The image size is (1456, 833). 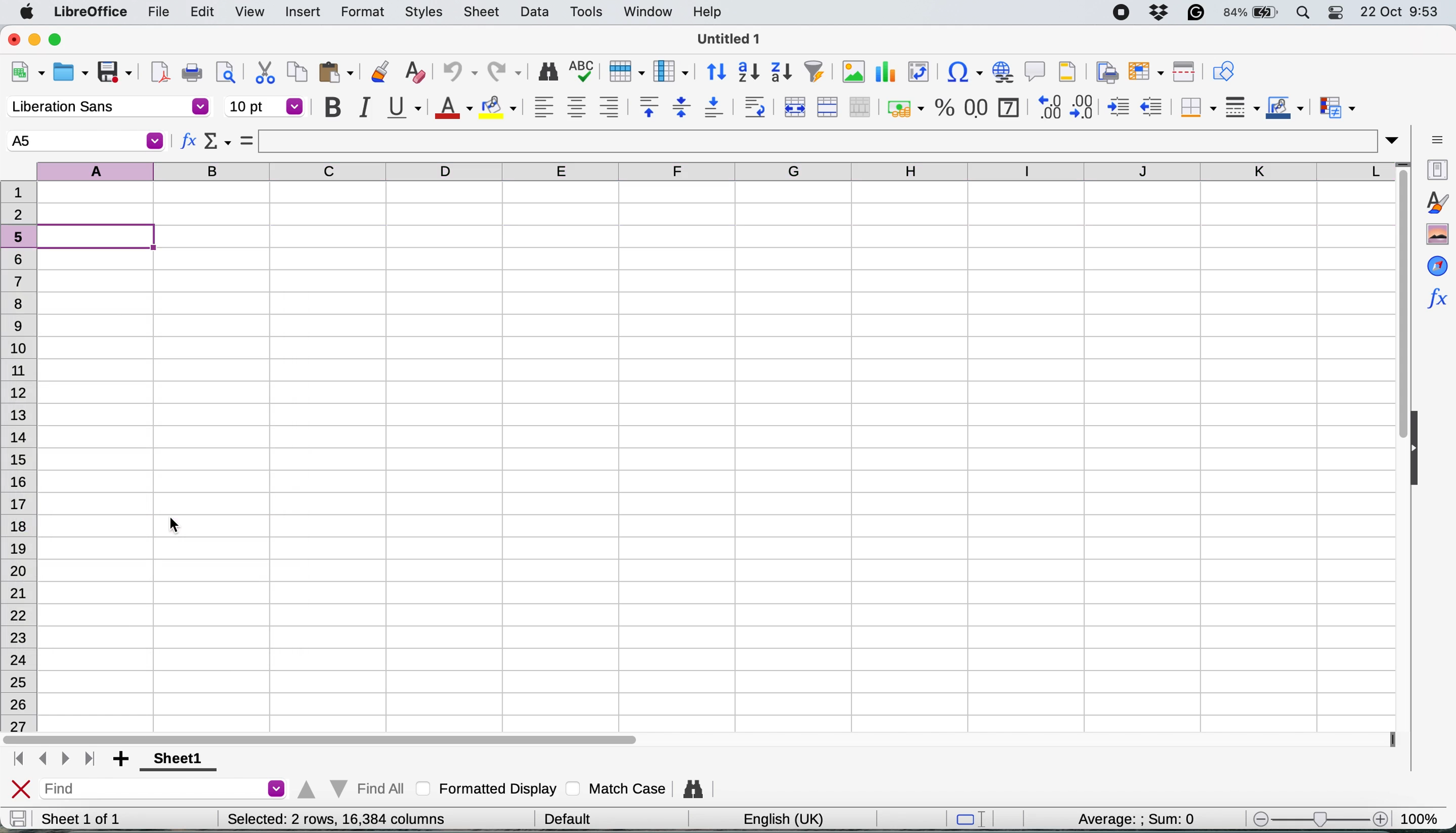 I want to click on align left, so click(x=544, y=106).